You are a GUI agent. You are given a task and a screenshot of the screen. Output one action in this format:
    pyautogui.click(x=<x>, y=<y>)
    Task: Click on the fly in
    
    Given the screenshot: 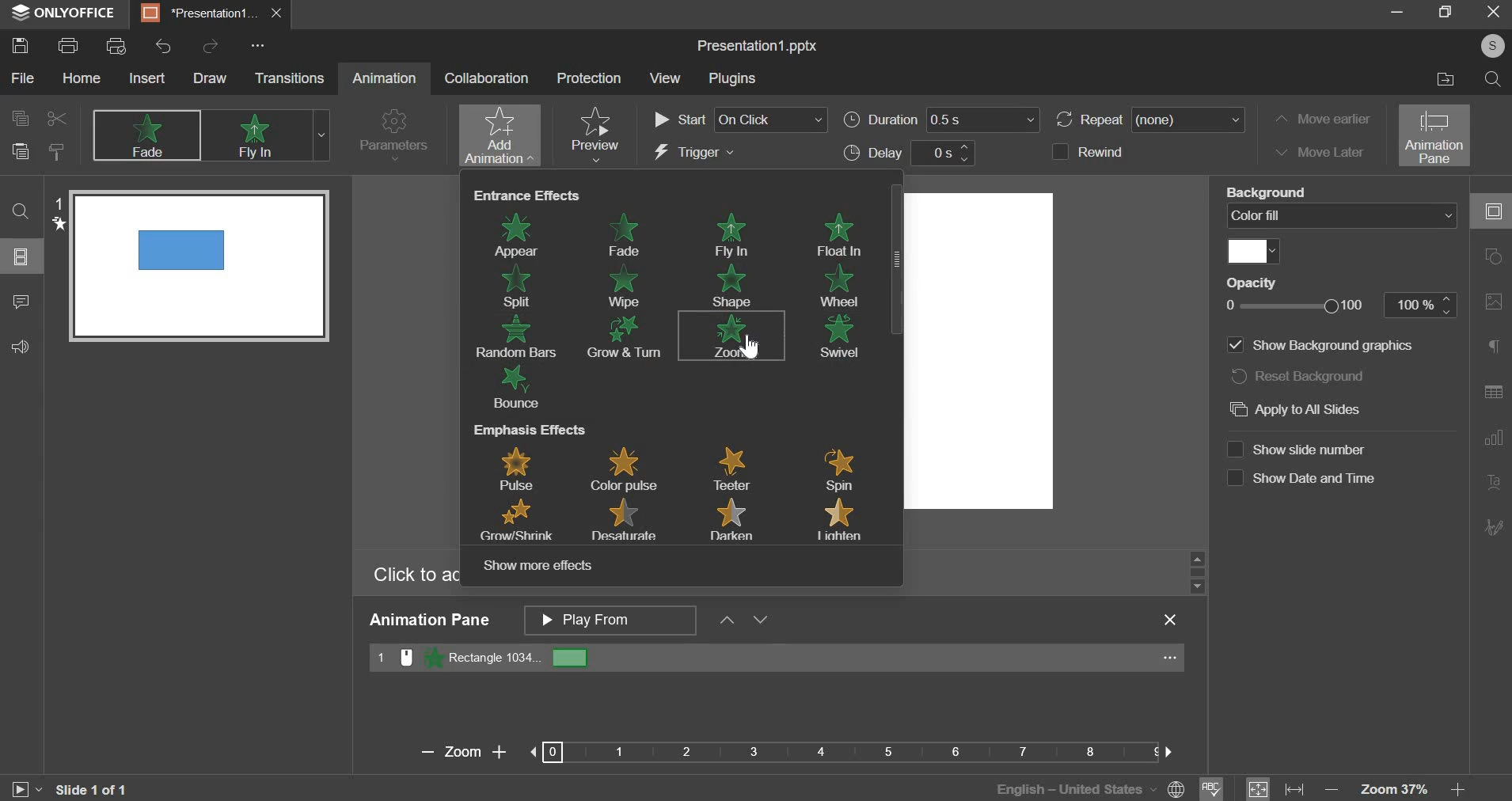 What is the action you would take?
    pyautogui.click(x=736, y=232)
    